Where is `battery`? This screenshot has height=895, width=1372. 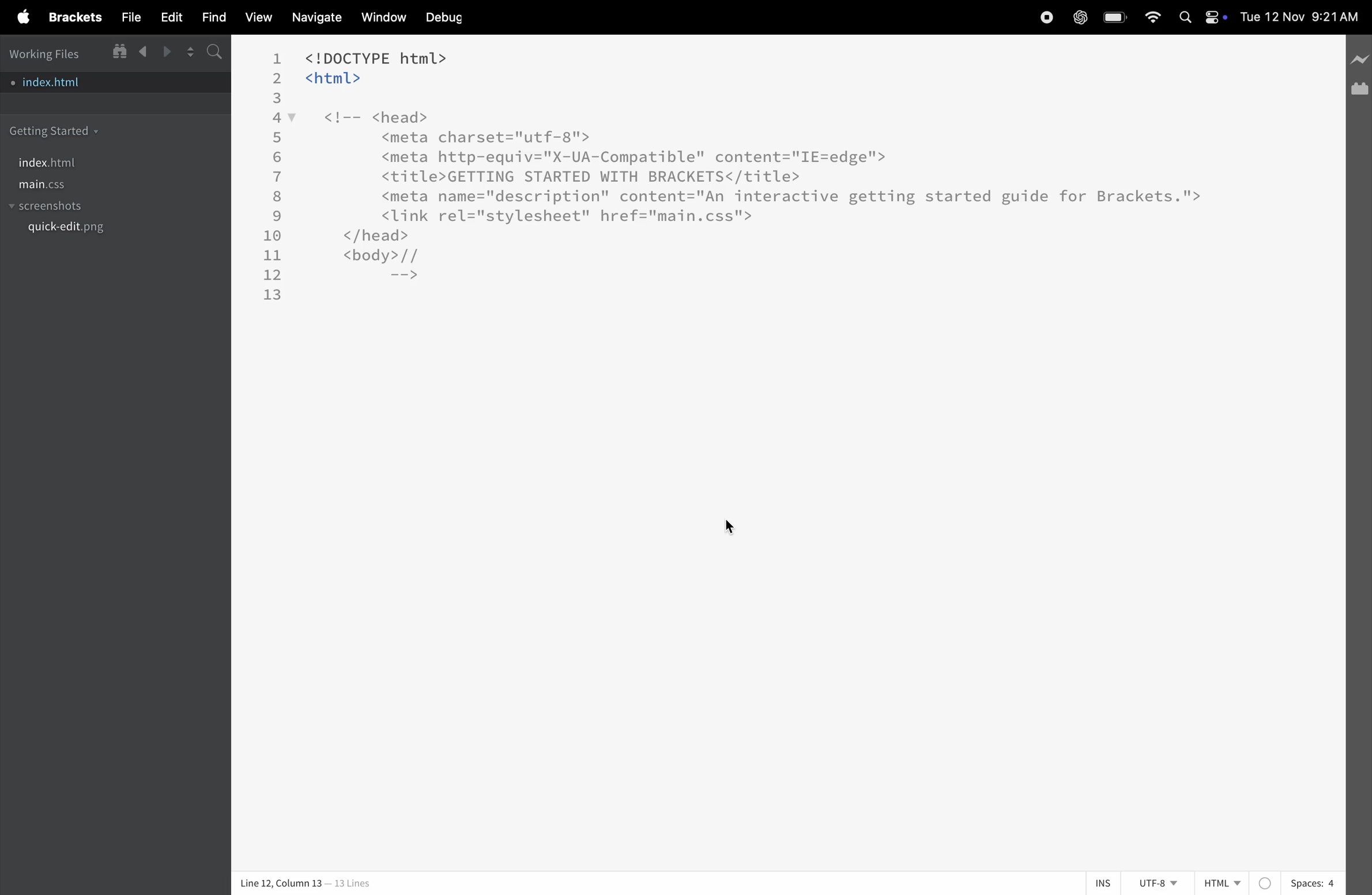
battery is located at coordinates (1114, 18).